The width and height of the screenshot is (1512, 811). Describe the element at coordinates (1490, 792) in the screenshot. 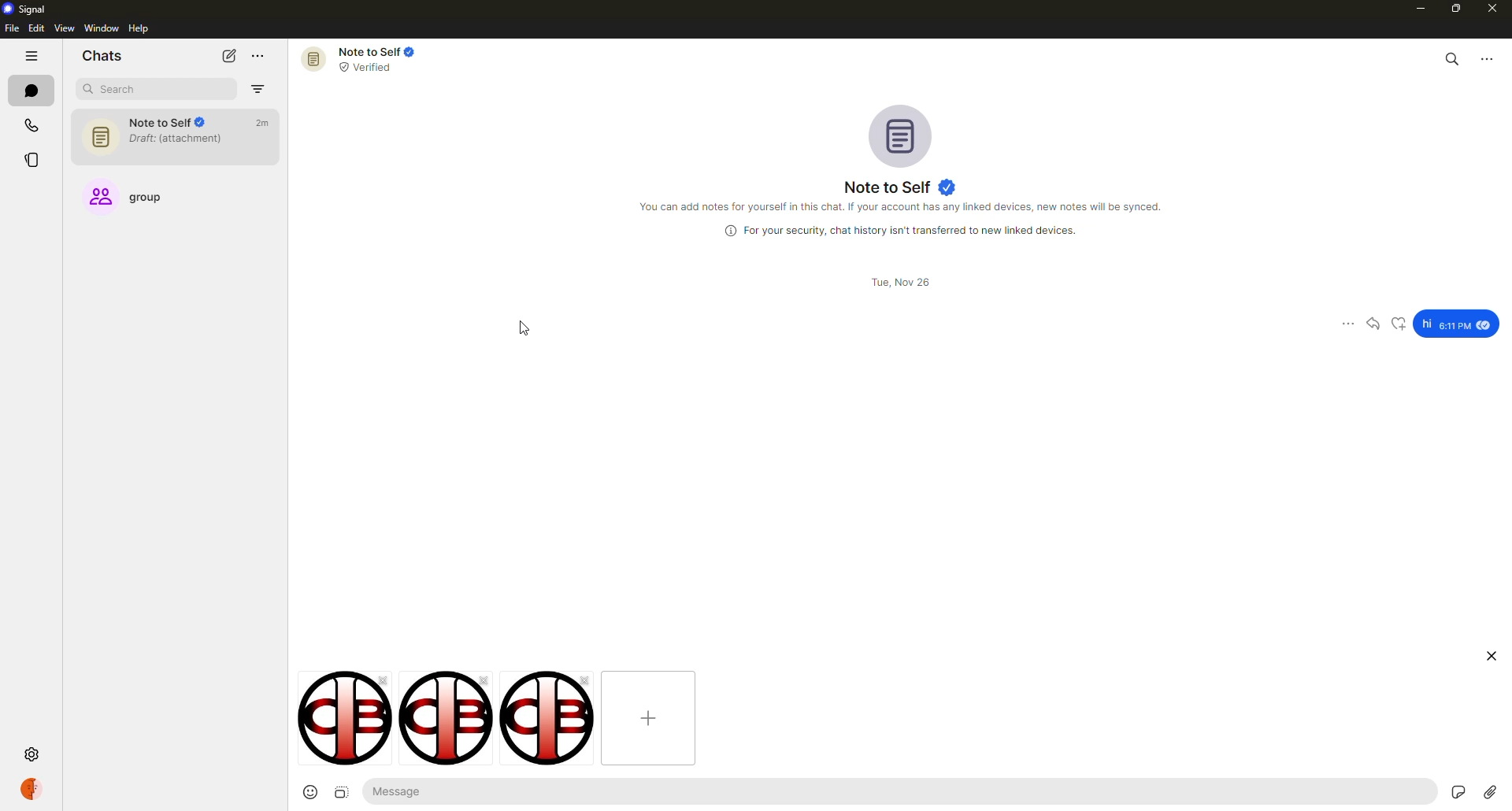

I see `attach` at that location.